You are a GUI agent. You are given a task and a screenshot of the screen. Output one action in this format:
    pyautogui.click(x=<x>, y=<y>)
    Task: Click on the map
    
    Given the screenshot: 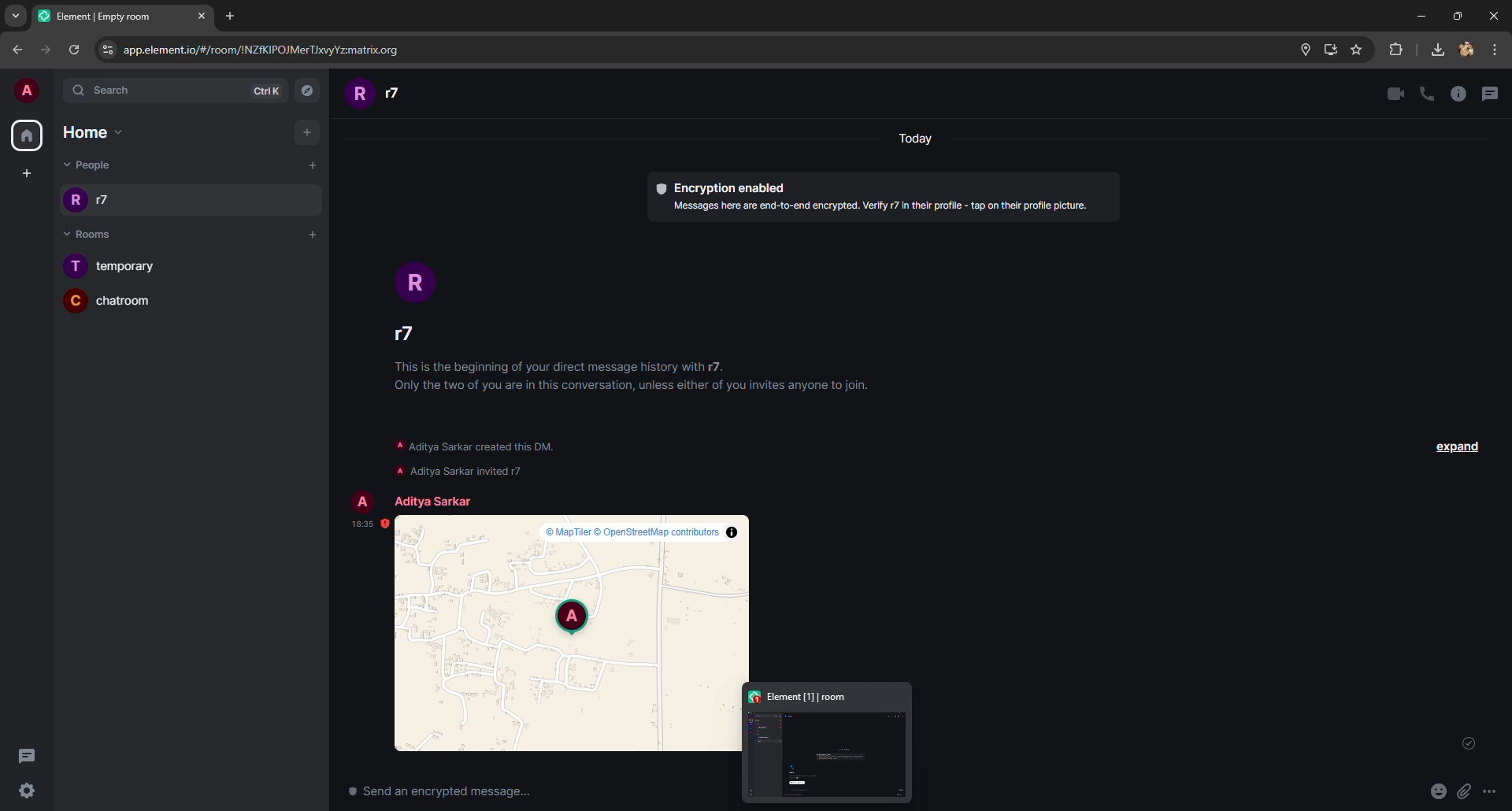 What is the action you would take?
    pyautogui.click(x=574, y=635)
    